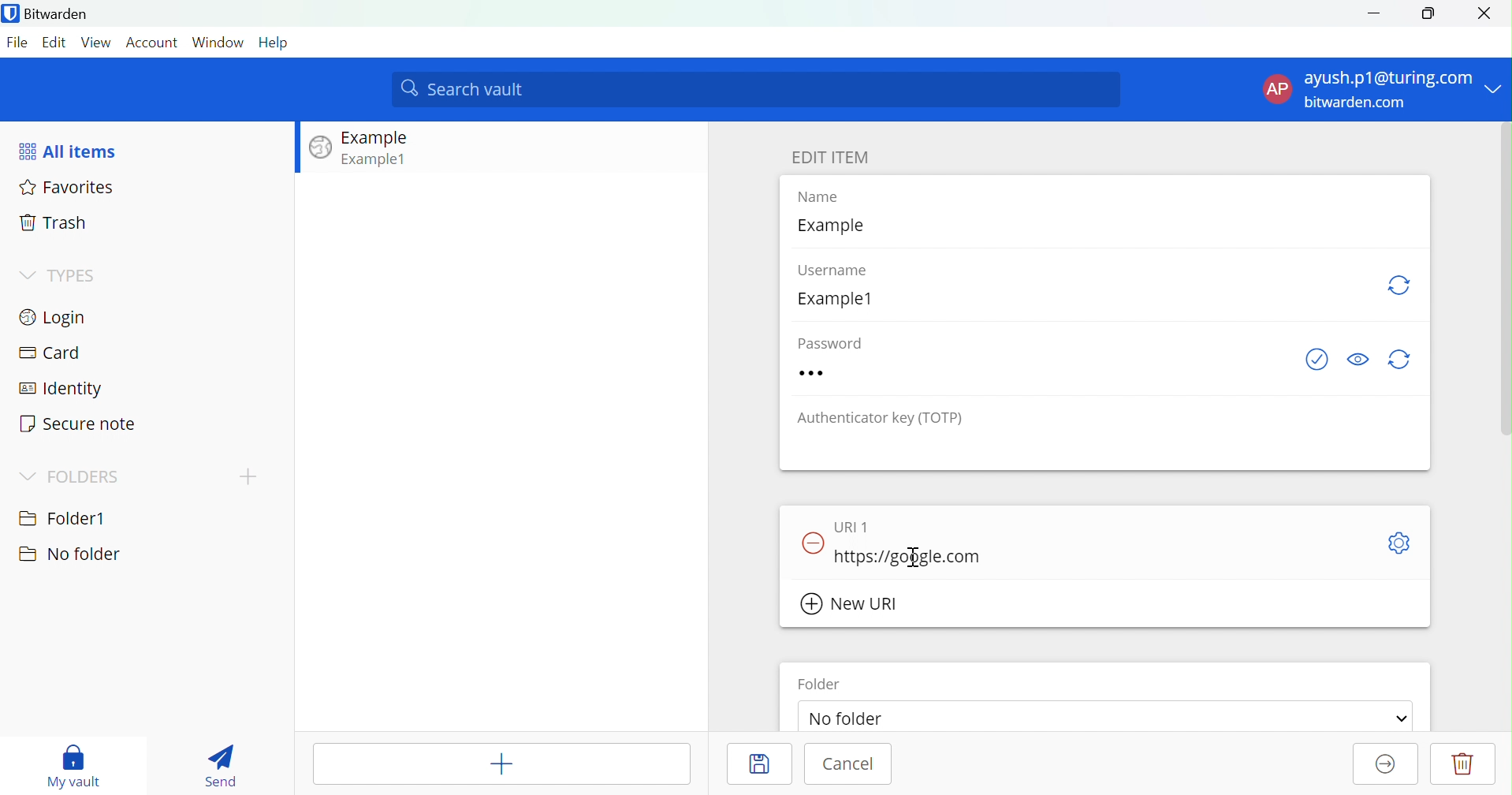 This screenshot has height=795, width=1512. Describe the element at coordinates (78, 424) in the screenshot. I see `Secure note` at that location.